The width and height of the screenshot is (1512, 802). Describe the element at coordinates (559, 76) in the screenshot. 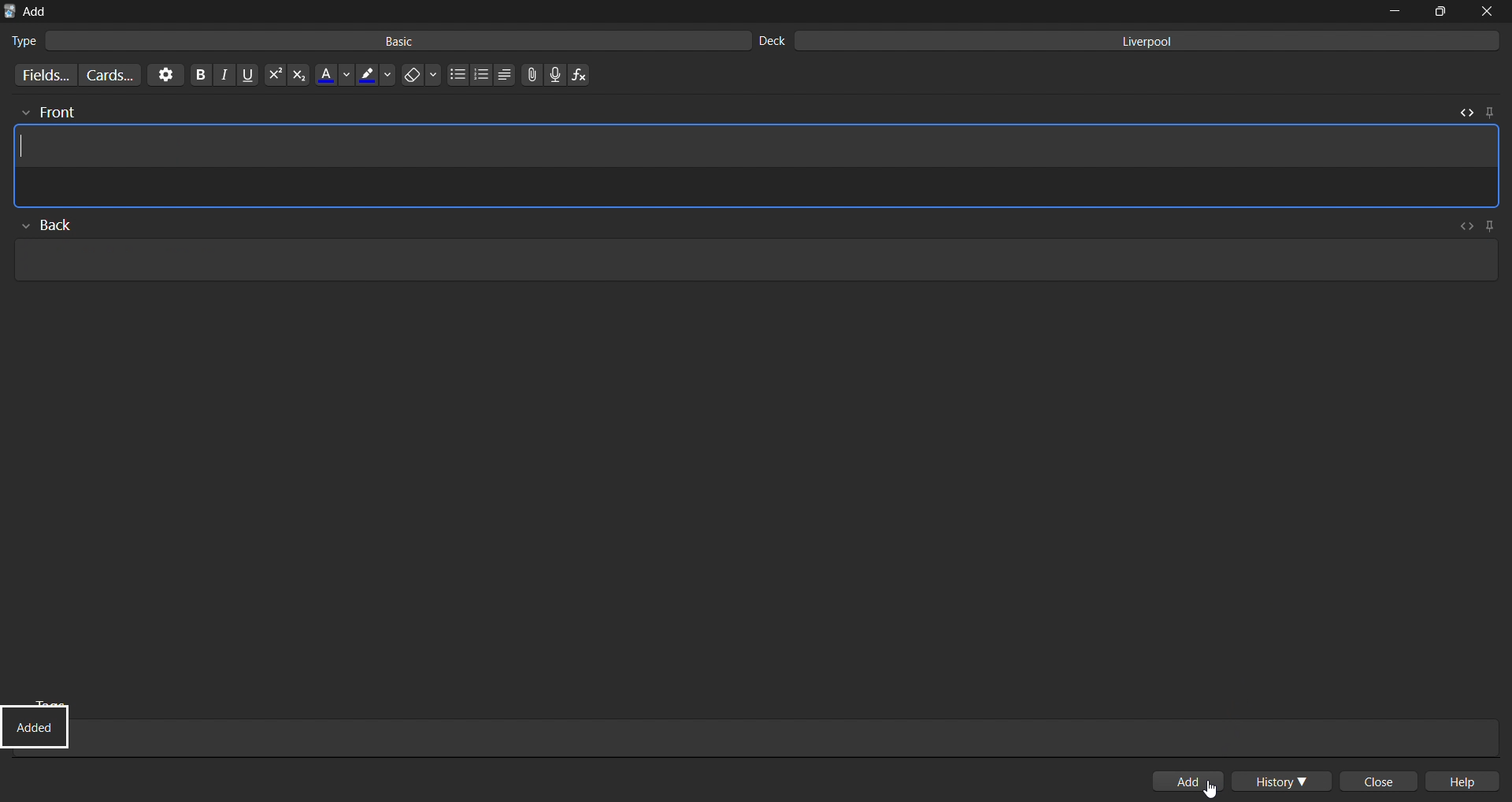

I see `record audio` at that location.